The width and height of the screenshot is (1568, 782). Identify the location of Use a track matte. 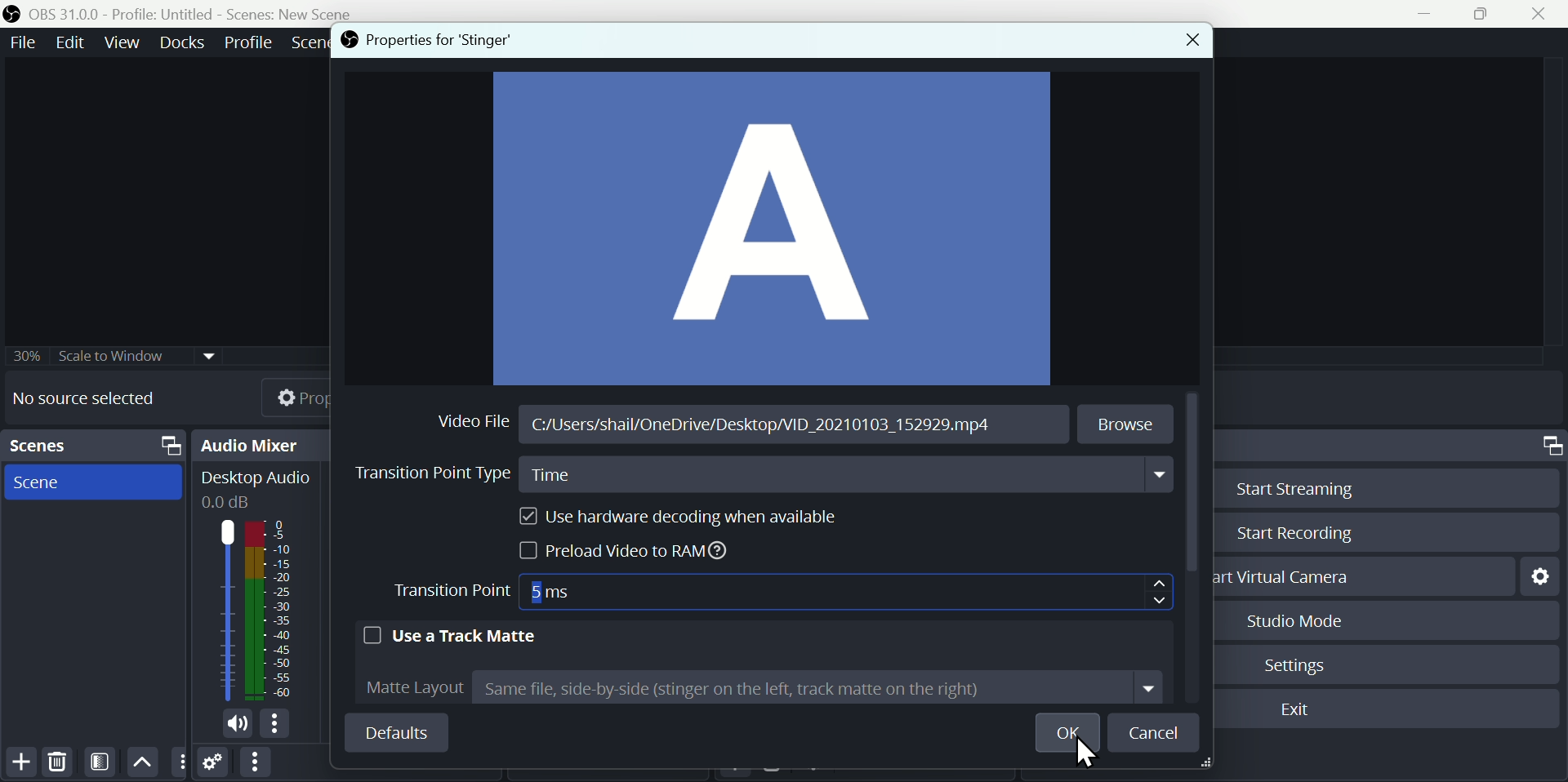
(451, 633).